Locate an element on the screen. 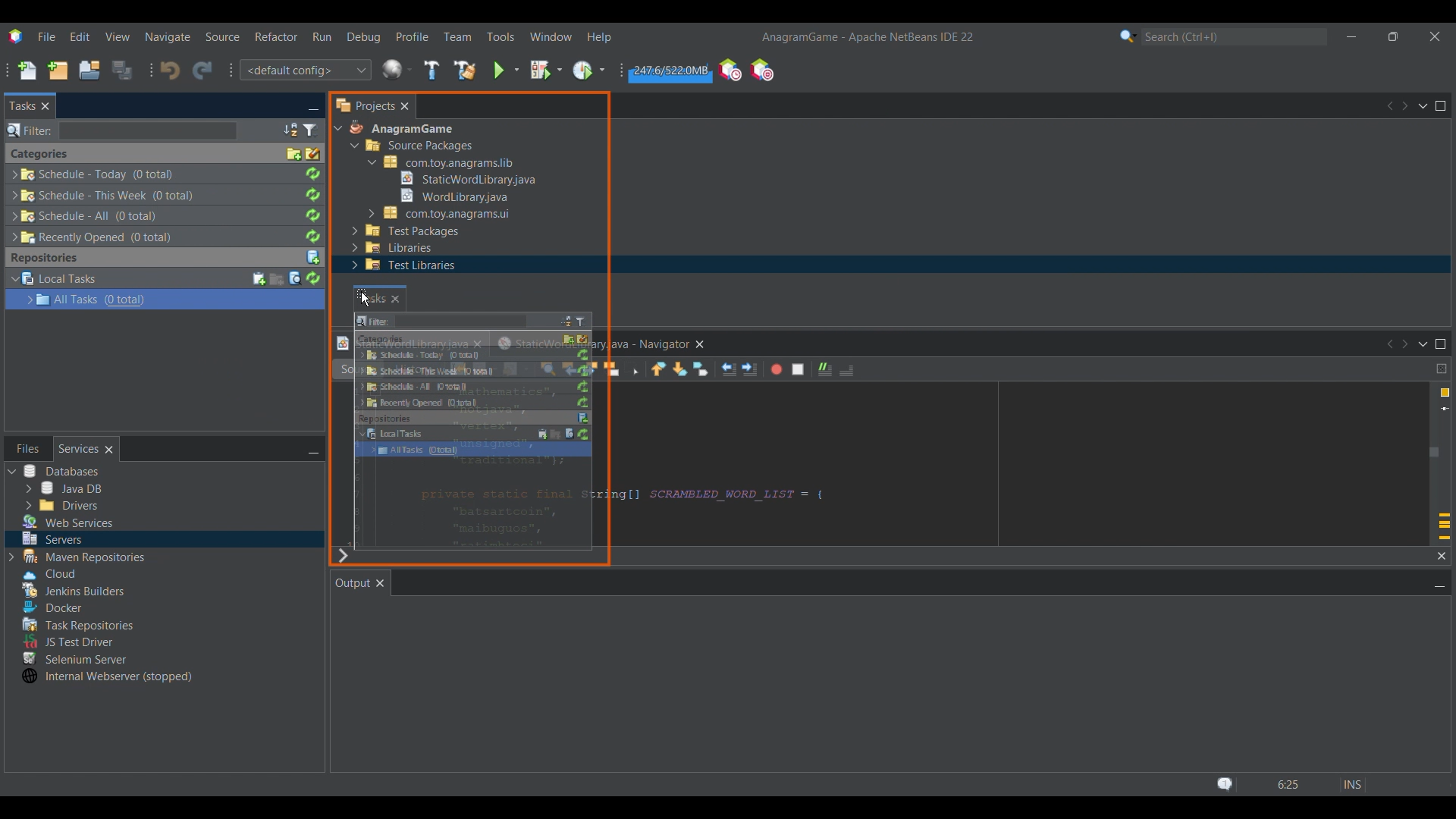 The image size is (1456, 819).  is located at coordinates (45, 572).